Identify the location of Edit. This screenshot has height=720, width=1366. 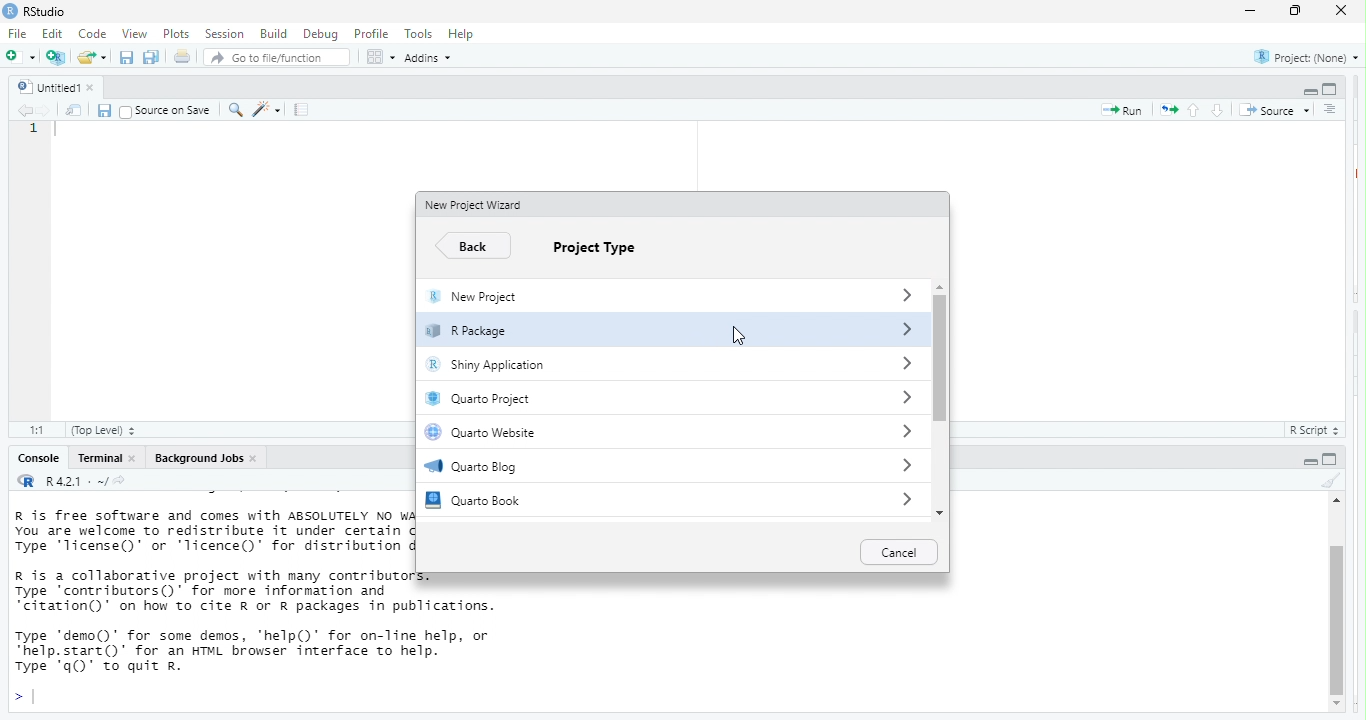
(54, 35).